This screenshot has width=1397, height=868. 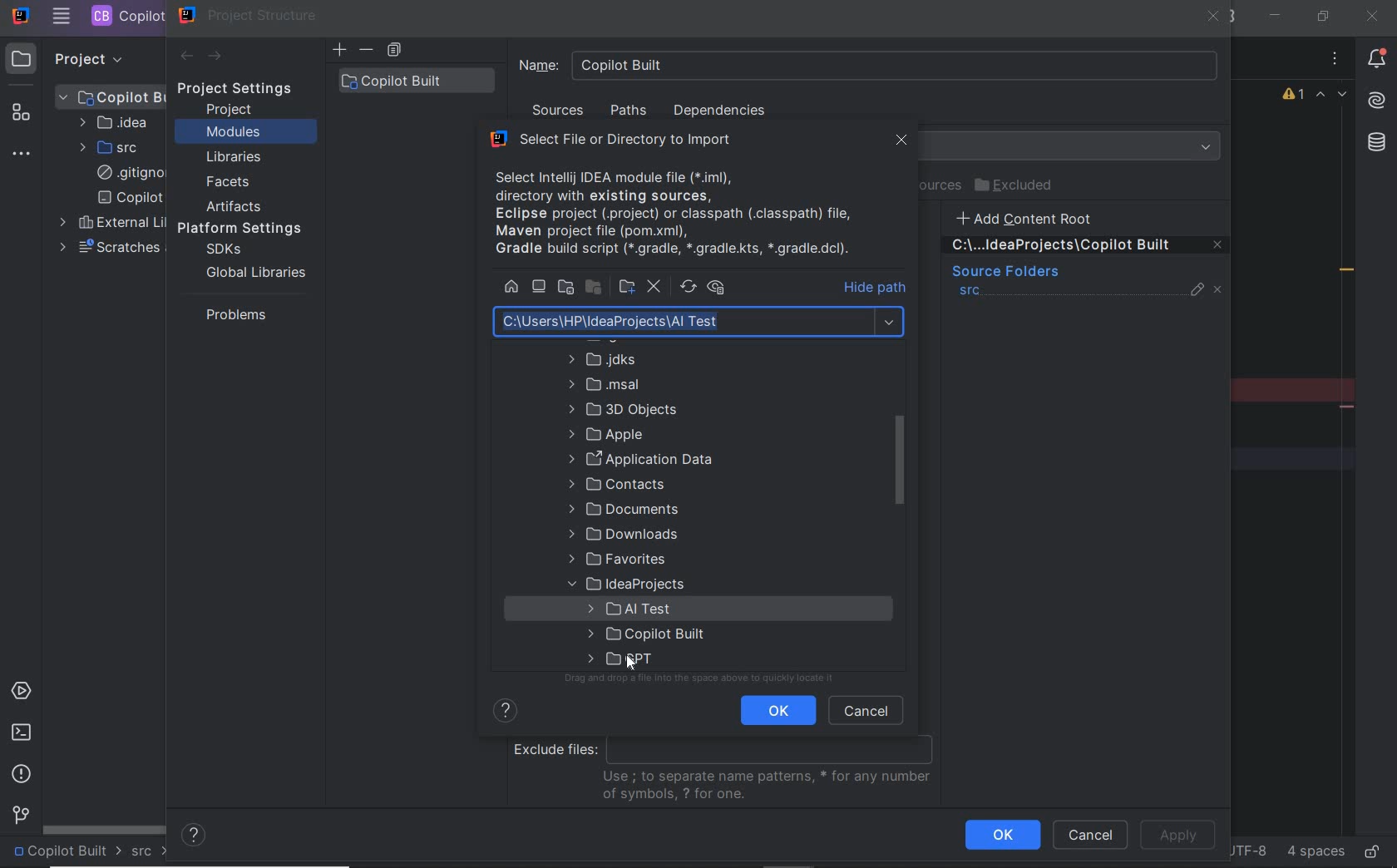 I want to click on path, so click(x=699, y=322).